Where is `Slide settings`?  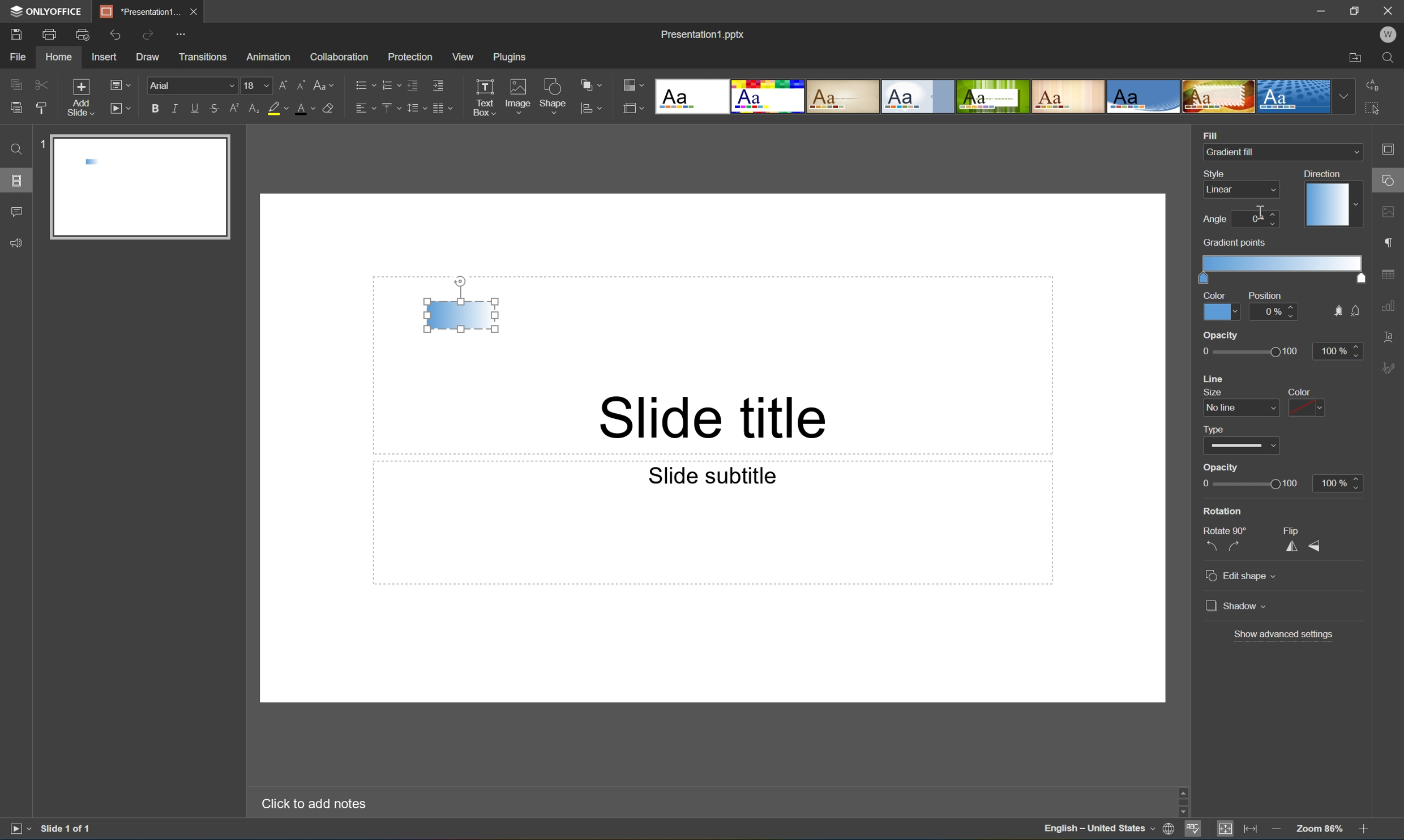 Slide settings is located at coordinates (1392, 149).